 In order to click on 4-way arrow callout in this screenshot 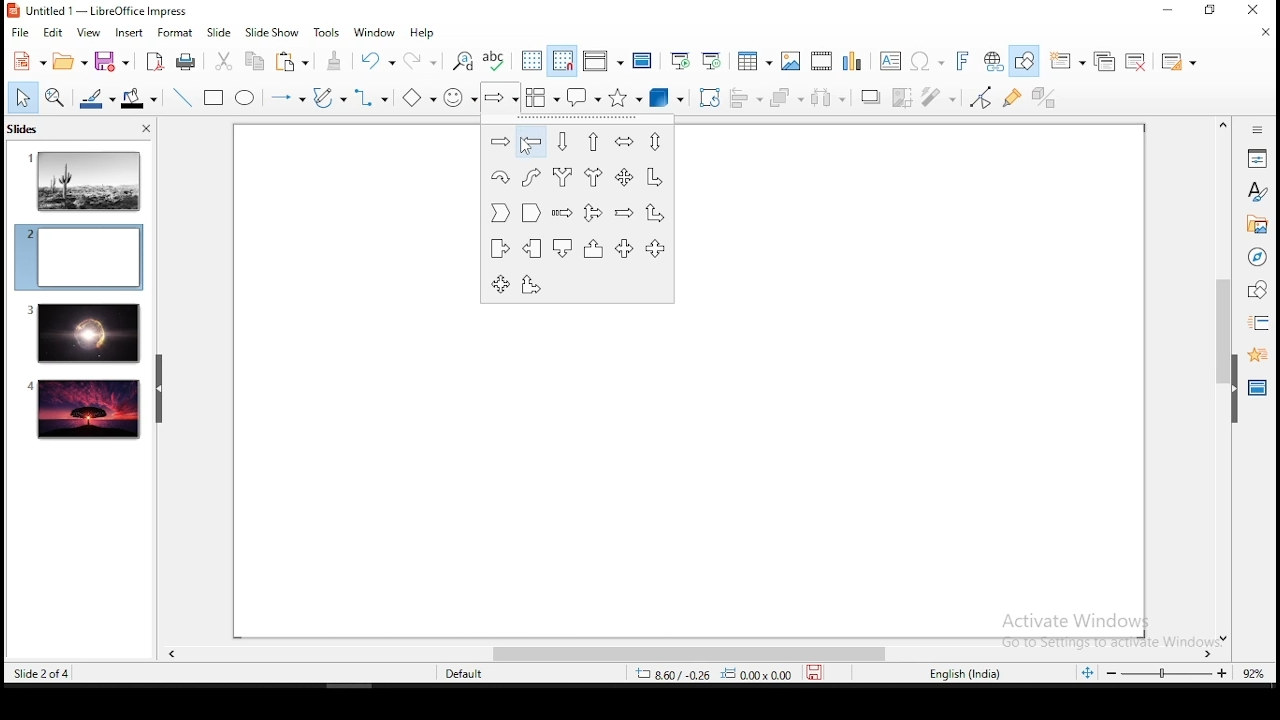, I will do `click(500, 285)`.